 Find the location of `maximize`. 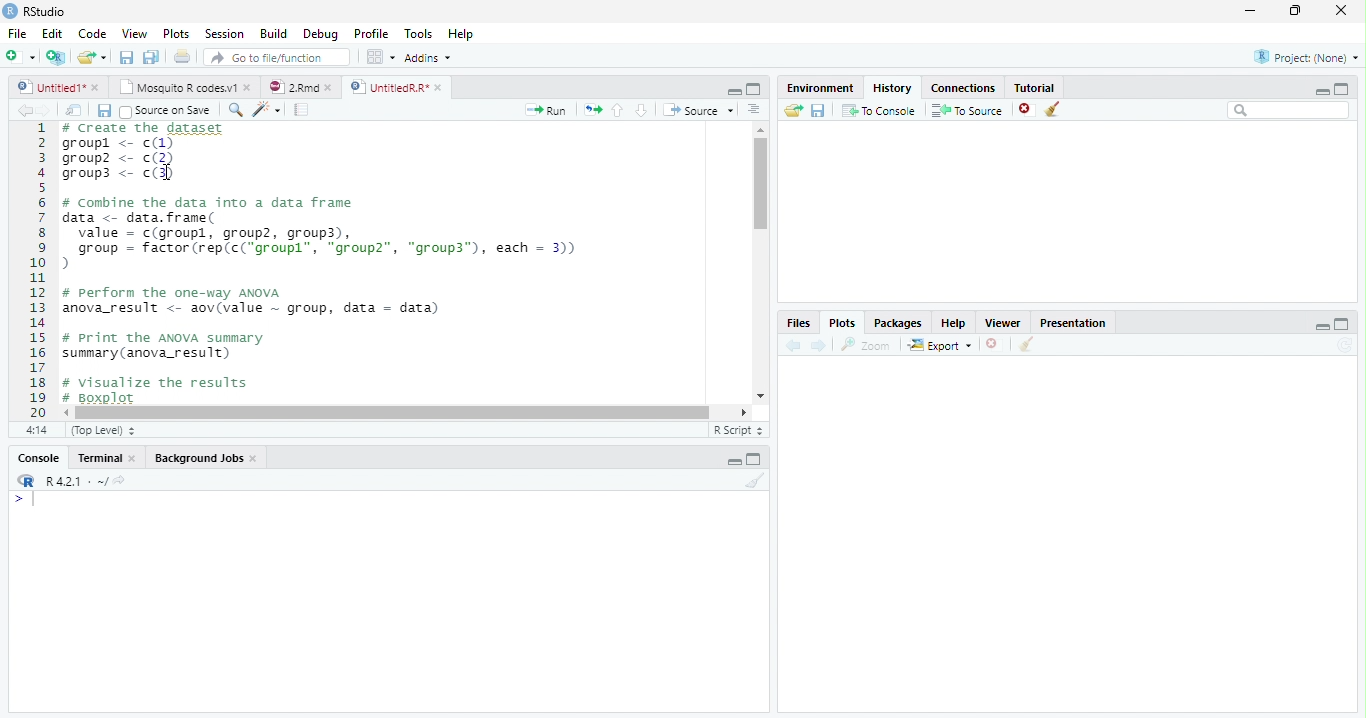

maximize is located at coordinates (1345, 88).